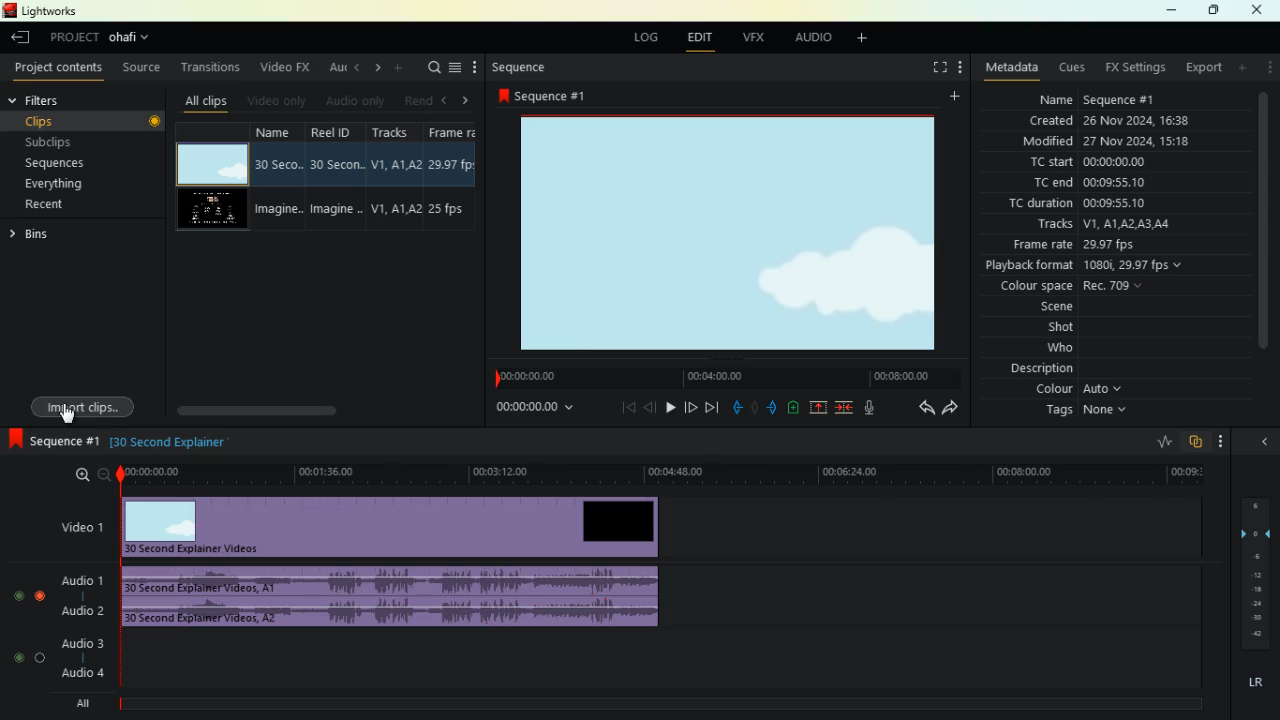 The image size is (1280, 720). I want to click on colour space, so click(1071, 287).